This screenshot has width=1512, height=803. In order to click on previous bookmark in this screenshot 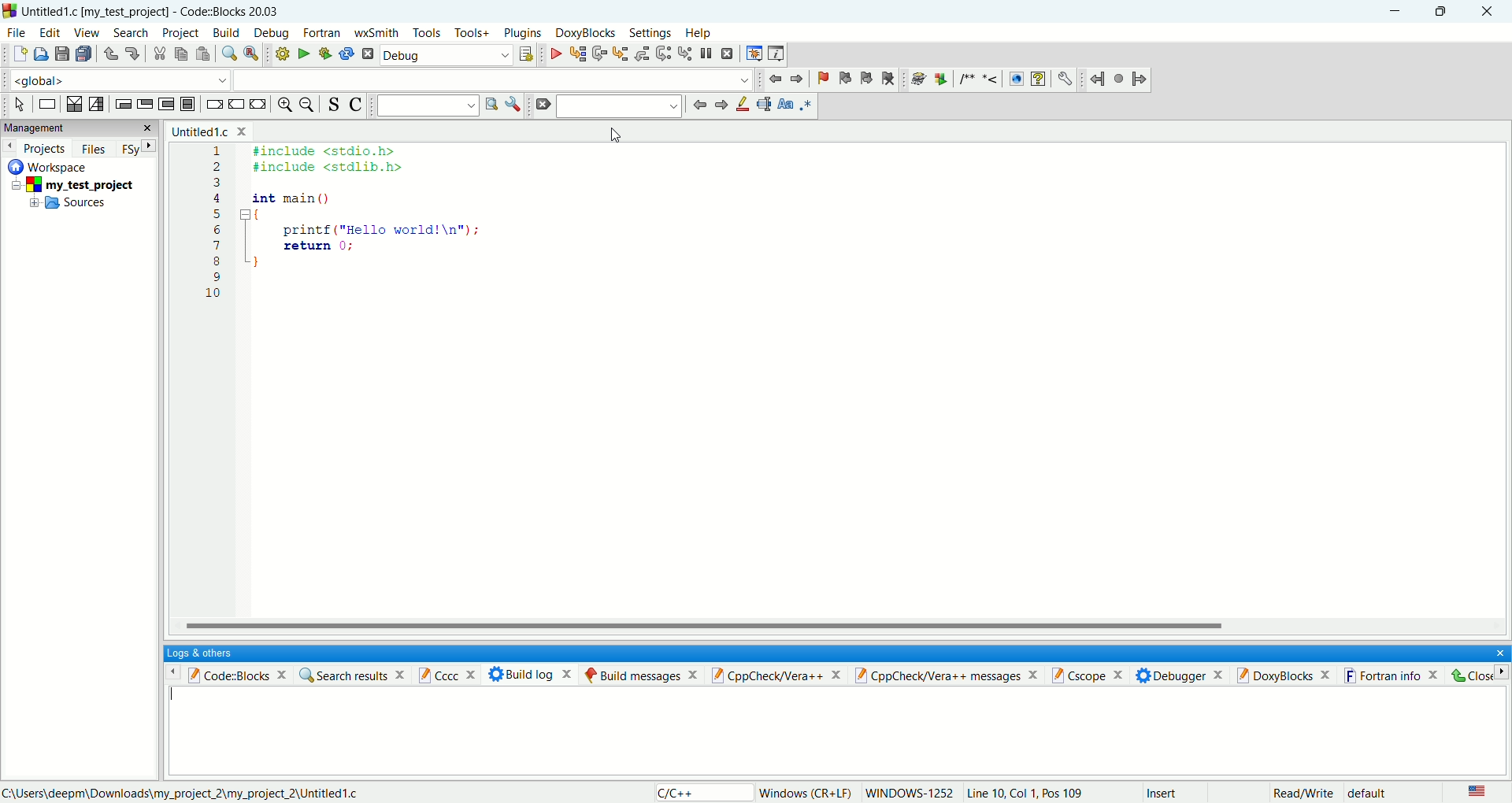, I will do `click(843, 80)`.